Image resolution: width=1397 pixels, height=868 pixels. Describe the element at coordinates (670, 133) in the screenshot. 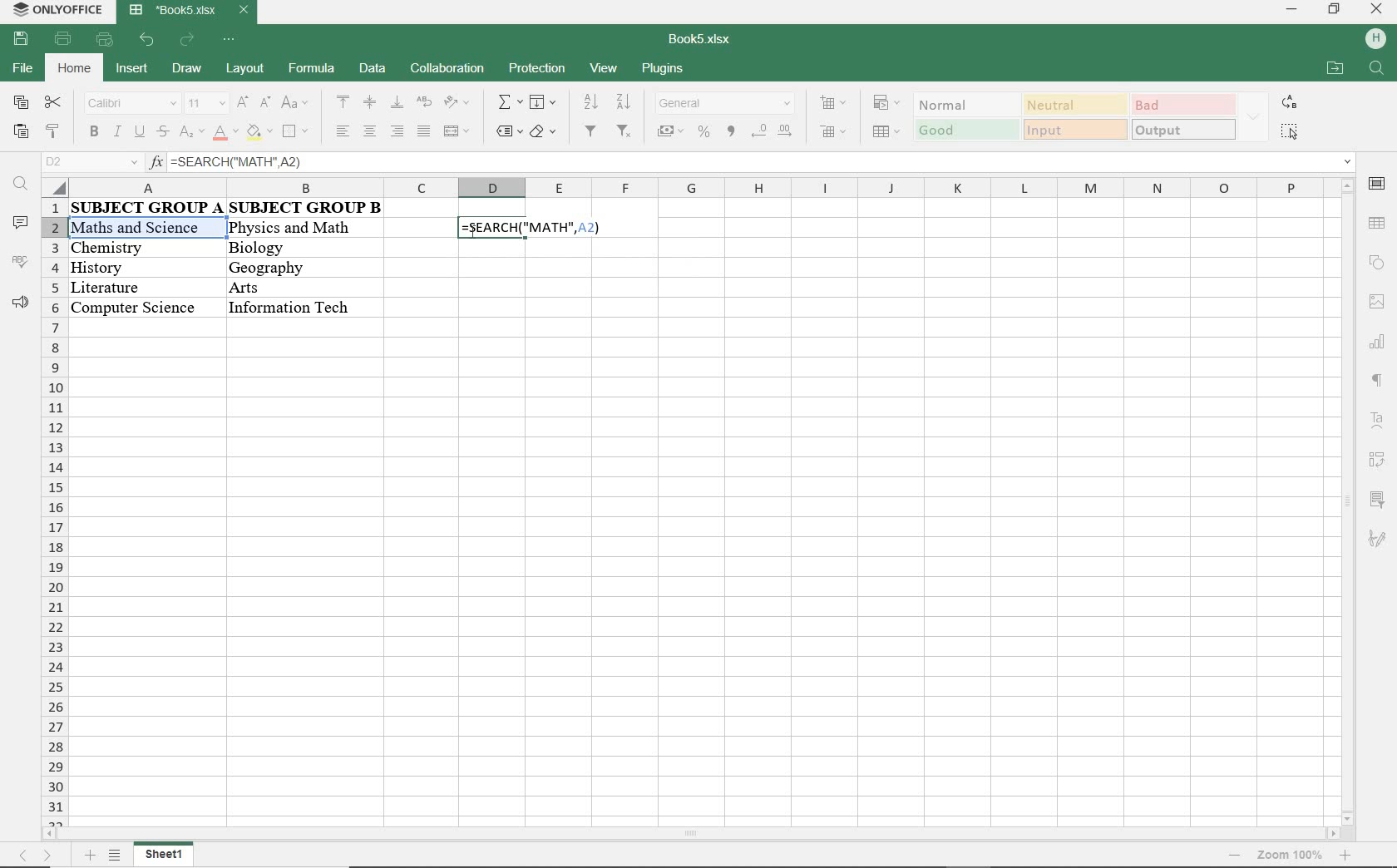

I see `accounting style` at that location.